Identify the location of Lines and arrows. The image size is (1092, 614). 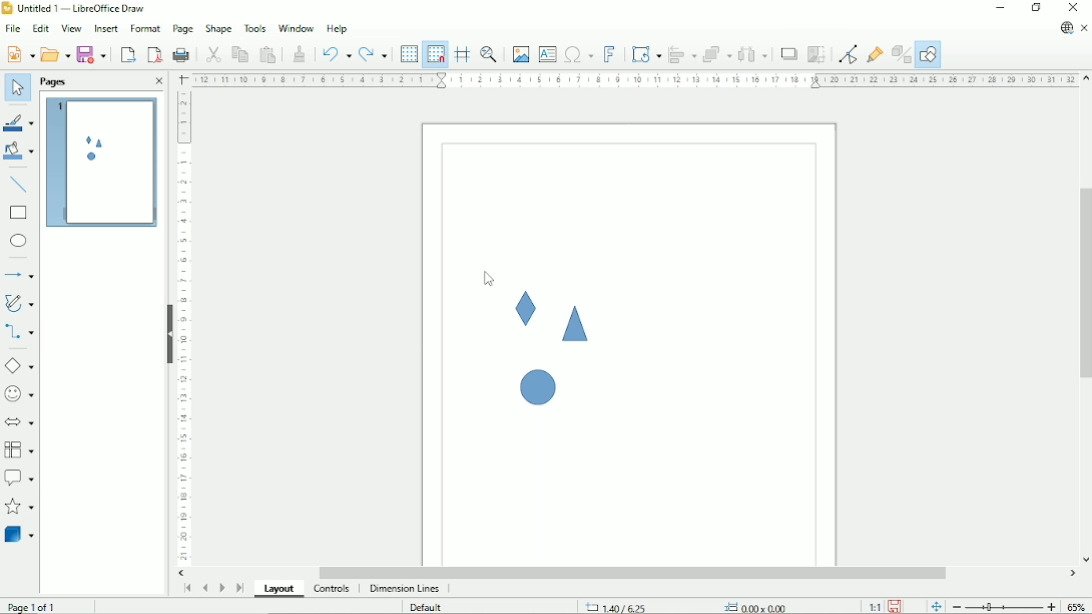
(21, 275).